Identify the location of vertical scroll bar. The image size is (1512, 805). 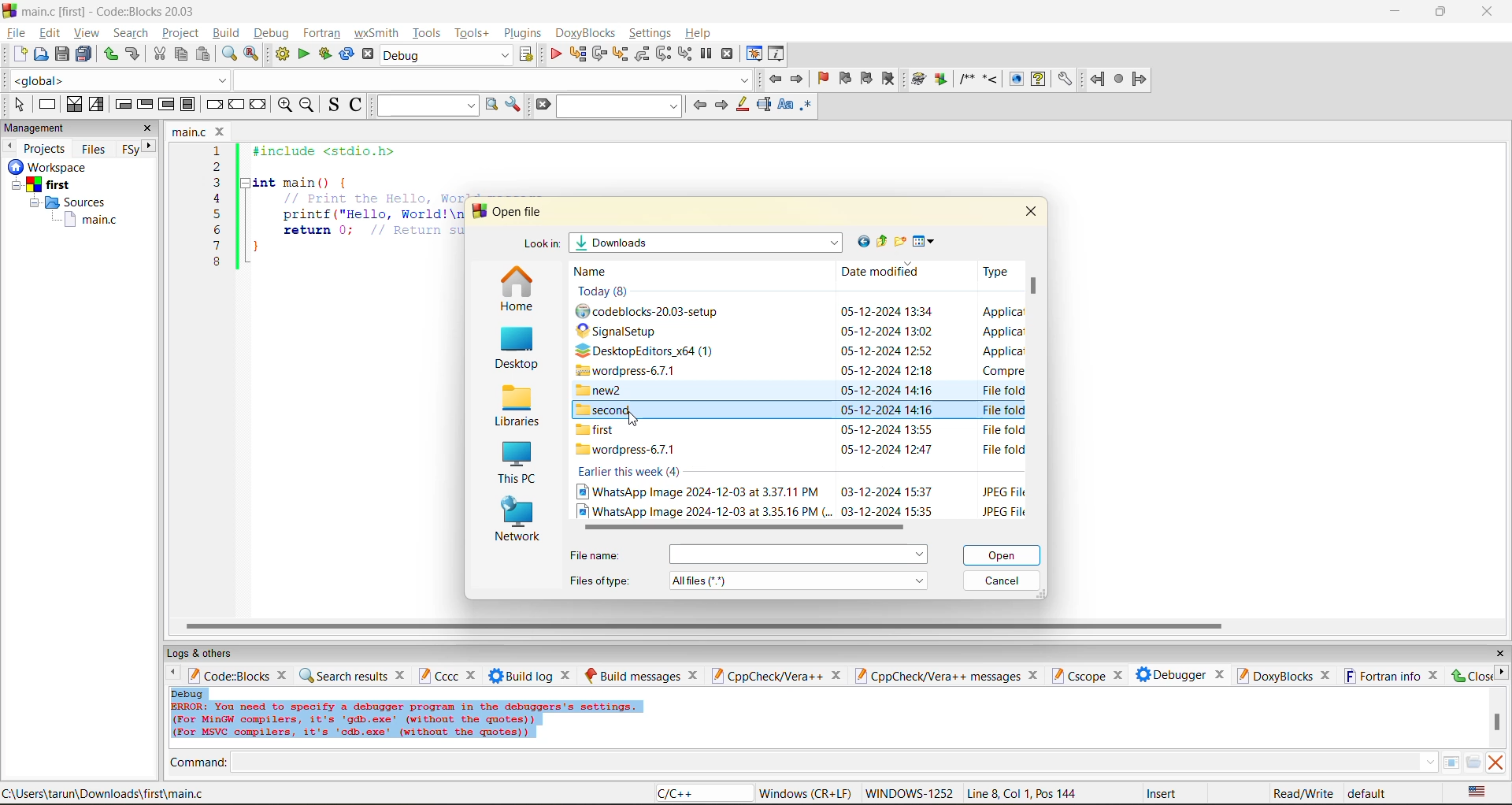
(1496, 722).